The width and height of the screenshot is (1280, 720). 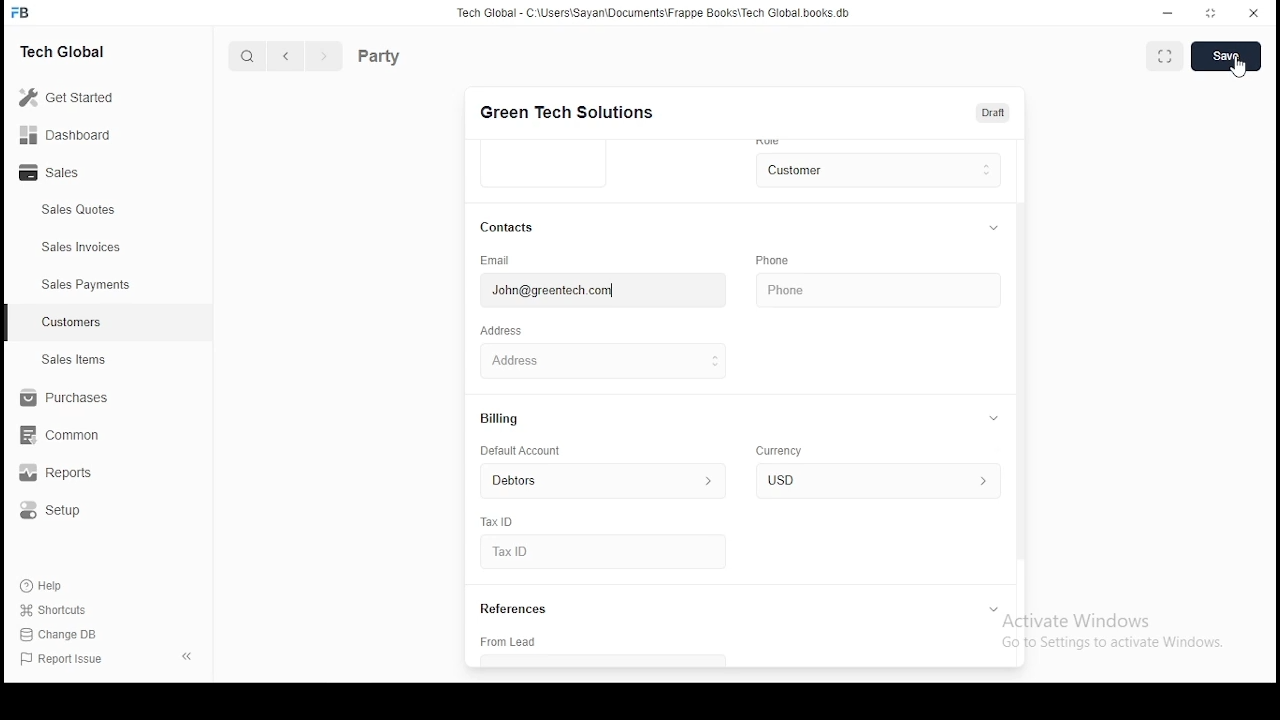 What do you see at coordinates (1225, 56) in the screenshot?
I see `save` at bounding box center [1225, 56].